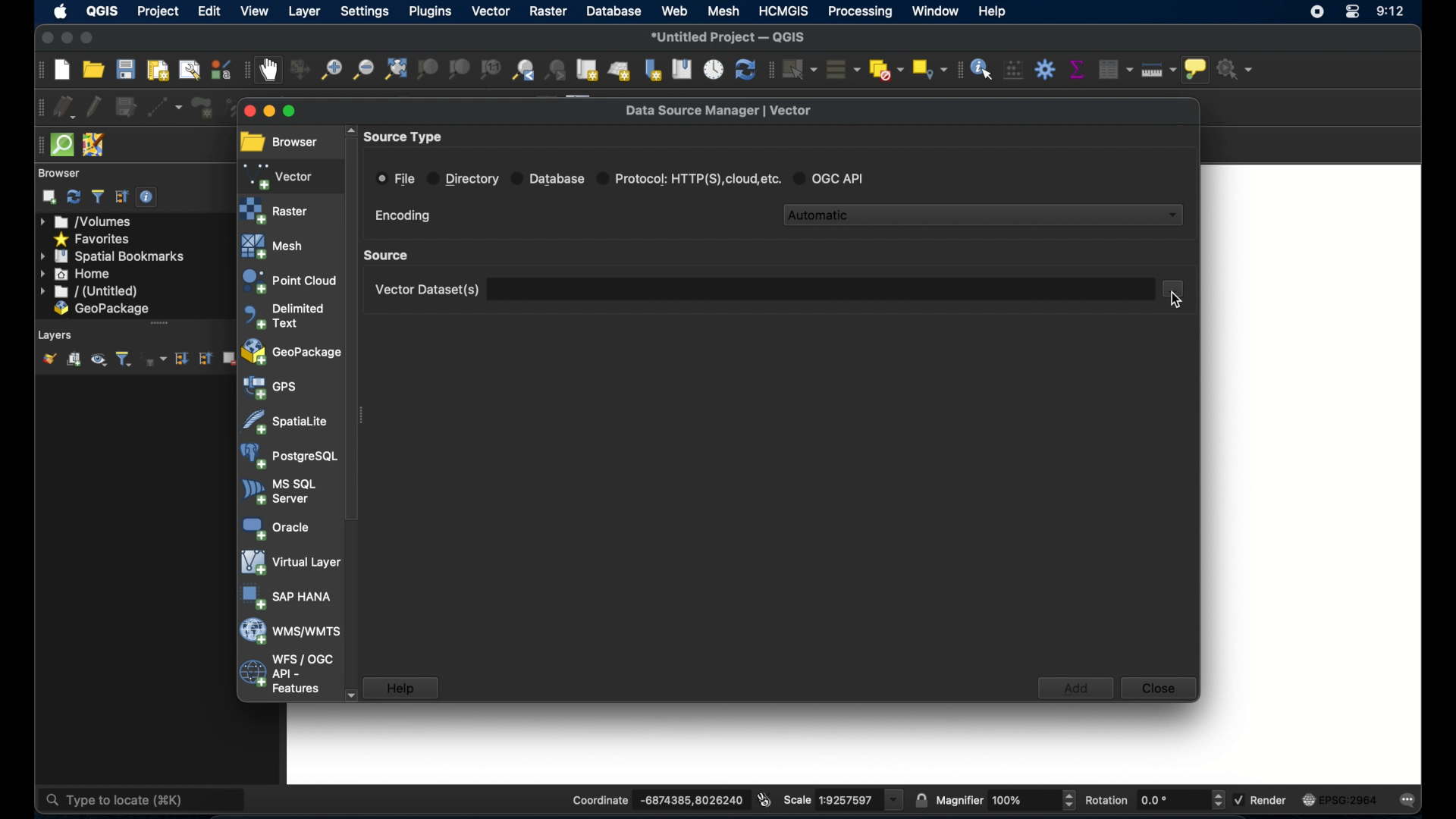 This screenshot has height=819, width=1456. I want to click on vector dataset(s), so click(425, 290).